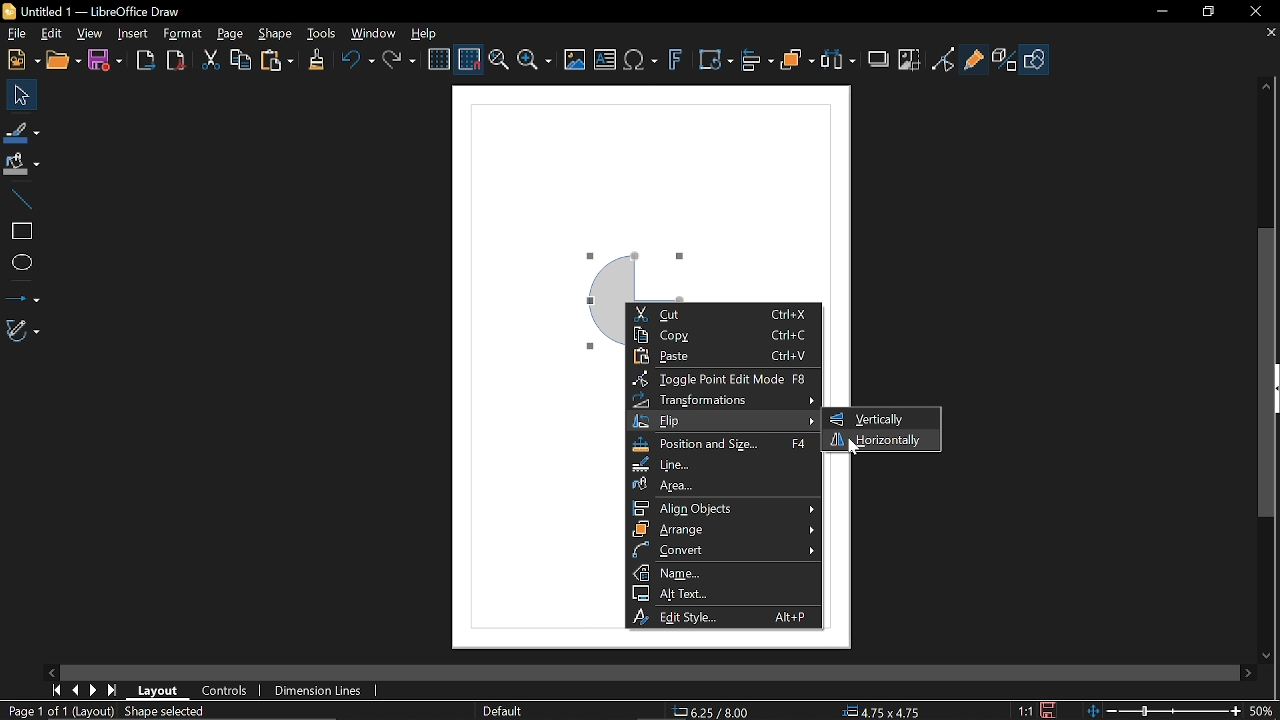 This screenshot has height=720, width=1280. I want to click on Paste    Ctrl+V, so click(723, 357).